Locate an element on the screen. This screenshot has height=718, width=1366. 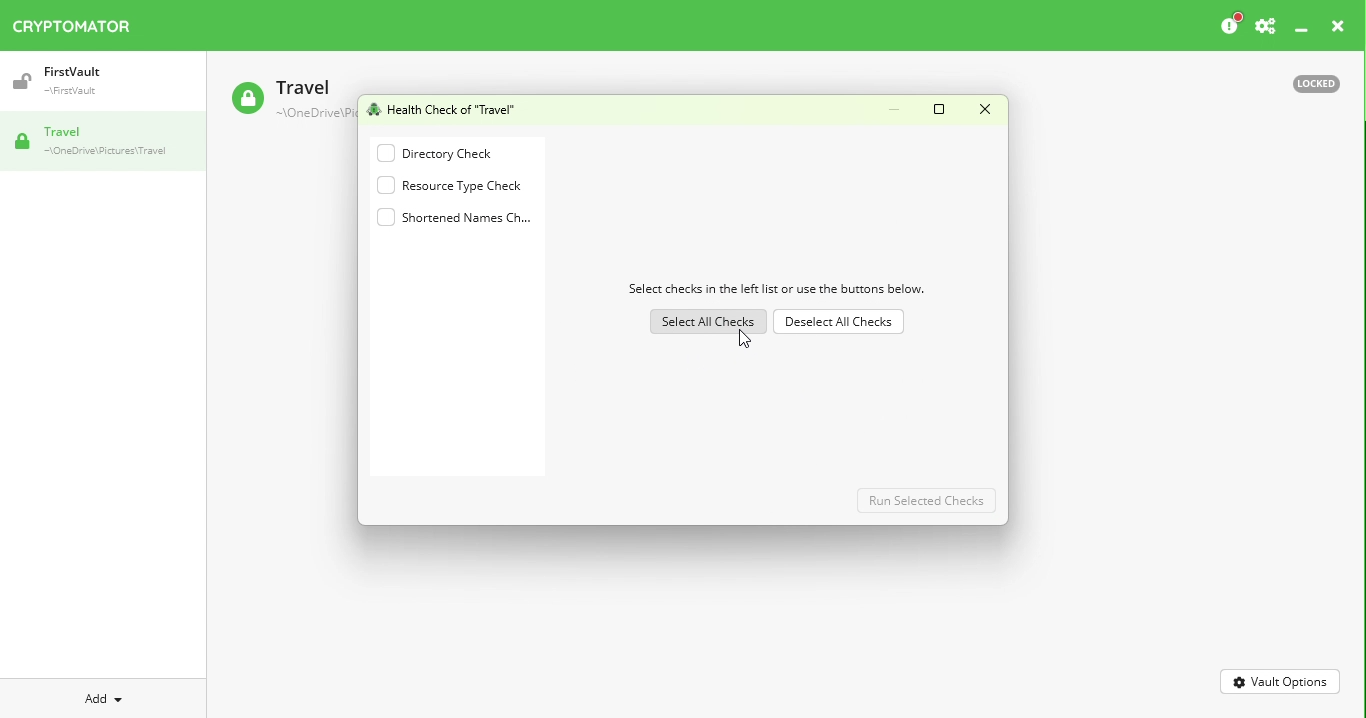
Health check of Vault is located at coordinates (442, 108).